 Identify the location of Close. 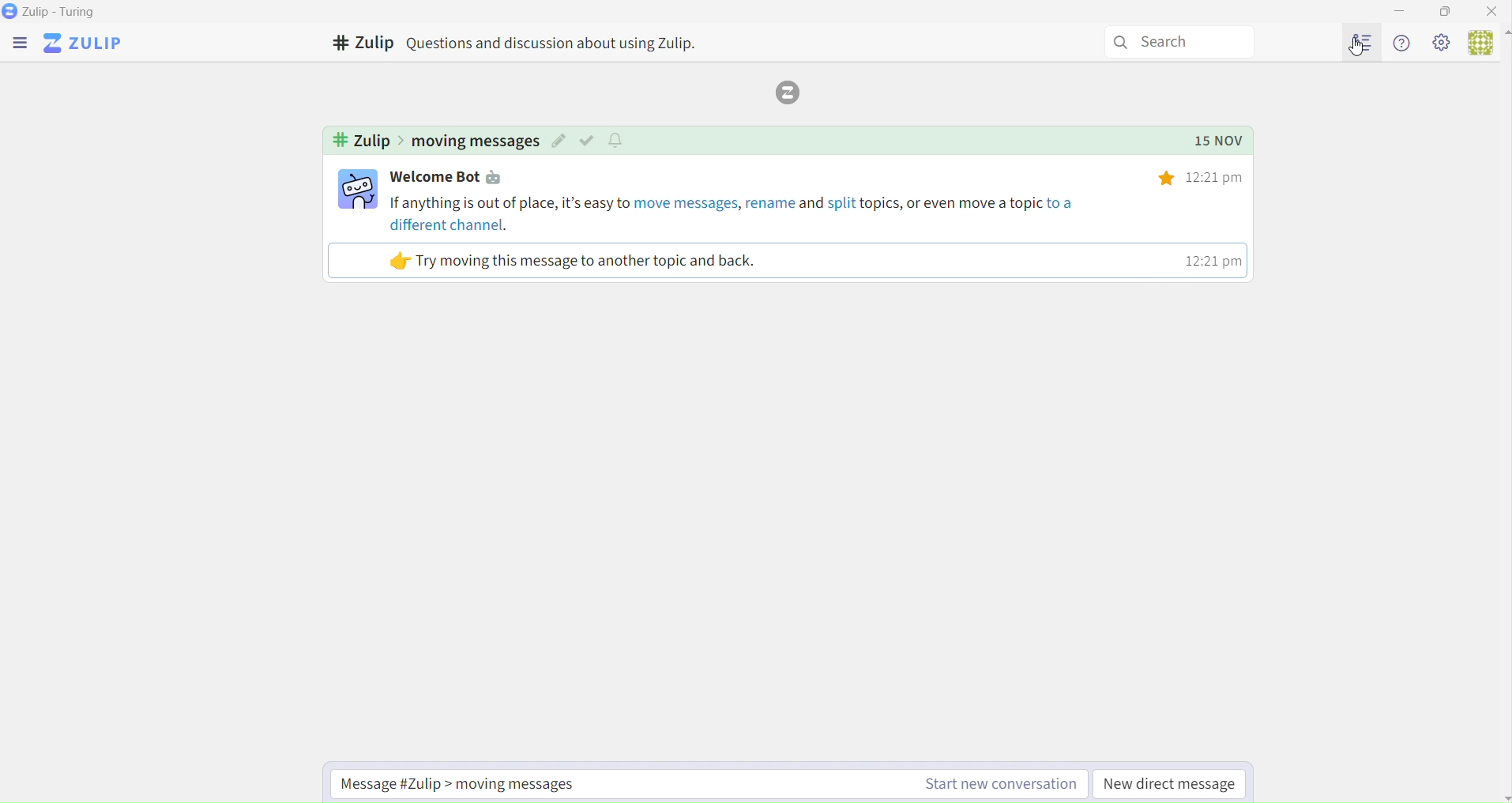
(1493, 10).